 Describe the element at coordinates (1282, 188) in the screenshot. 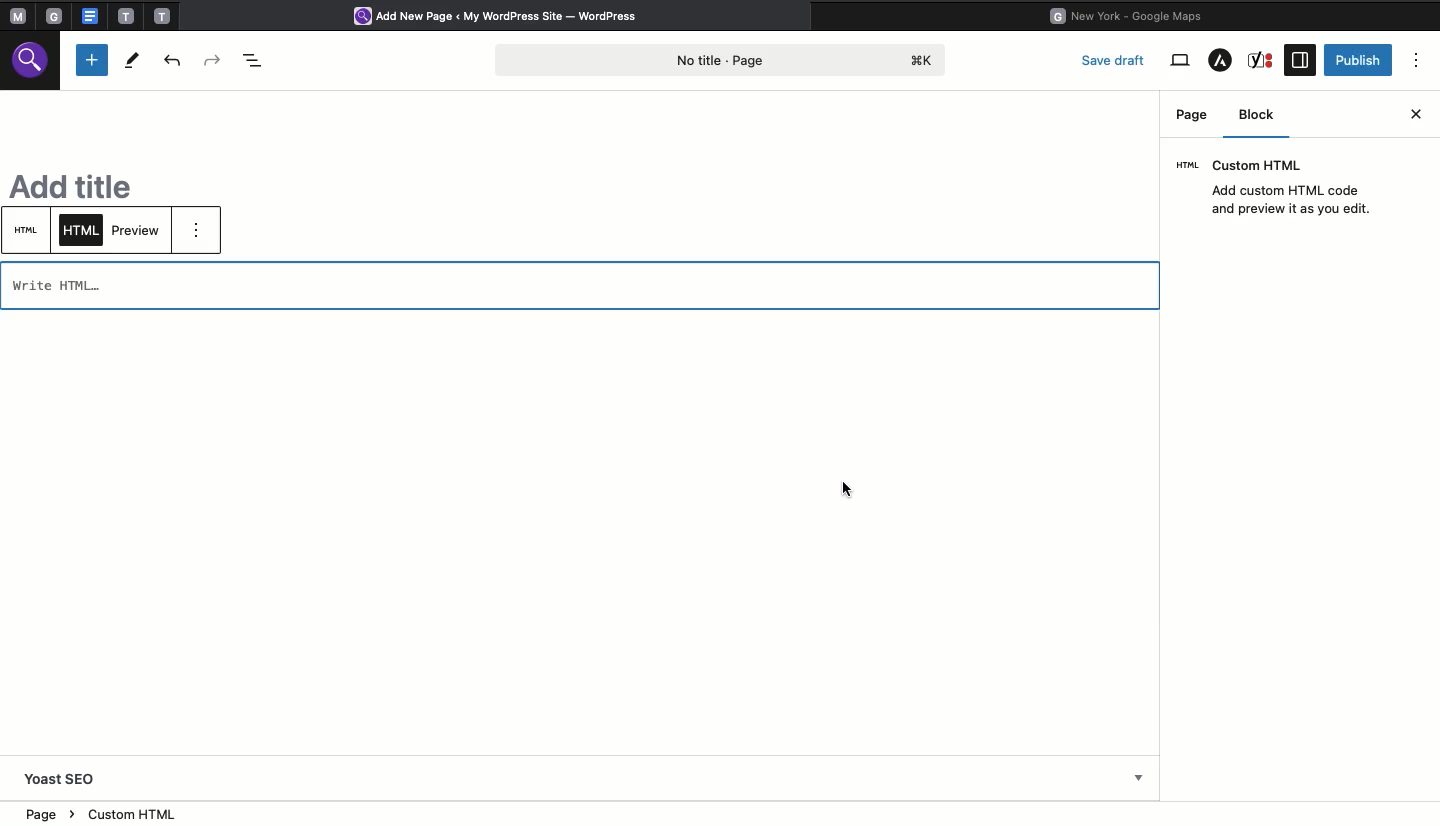

I see `Custom HTML` at that location.